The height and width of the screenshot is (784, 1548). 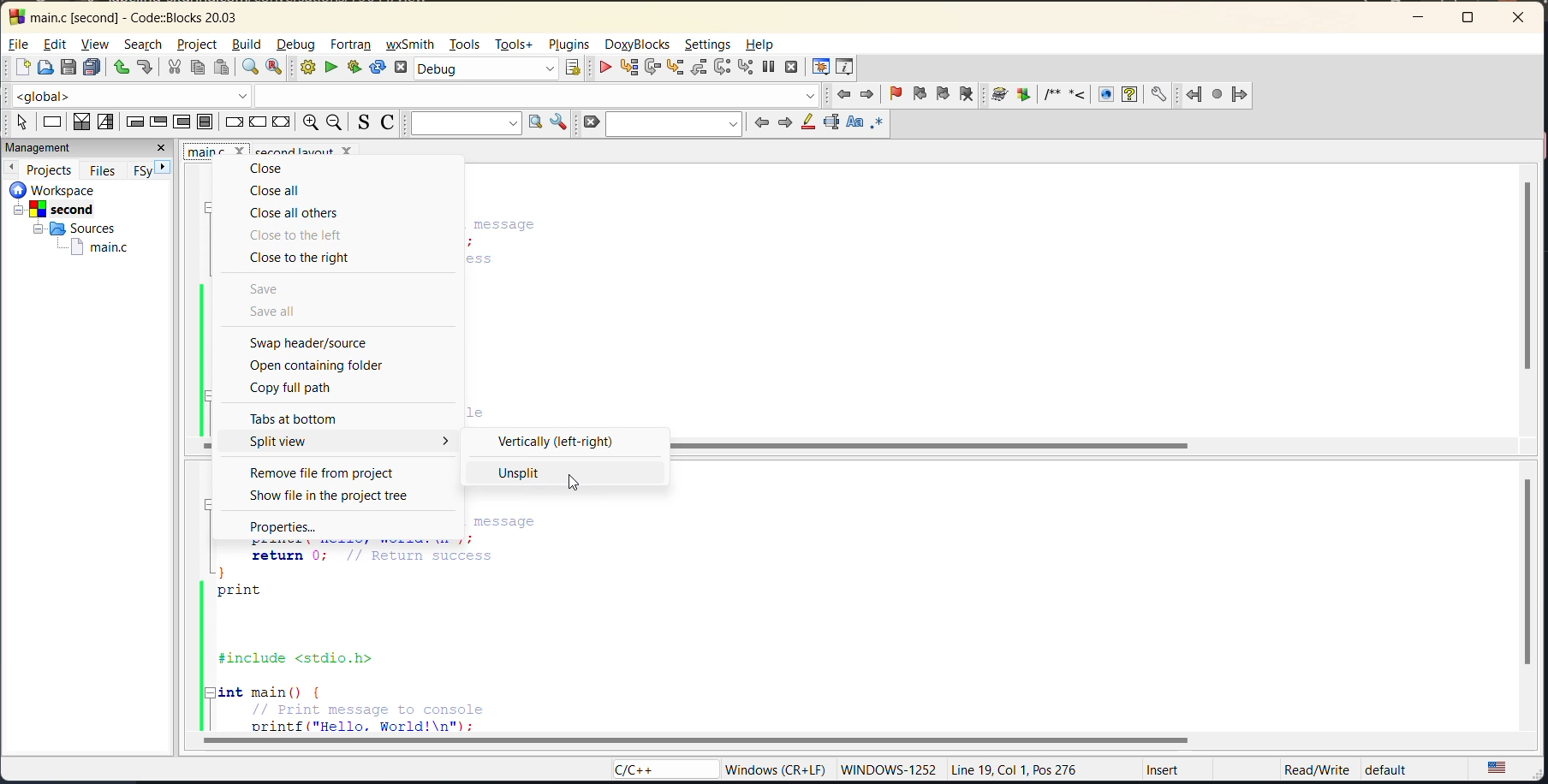 I want to click on search, so click(x=143, y=45).